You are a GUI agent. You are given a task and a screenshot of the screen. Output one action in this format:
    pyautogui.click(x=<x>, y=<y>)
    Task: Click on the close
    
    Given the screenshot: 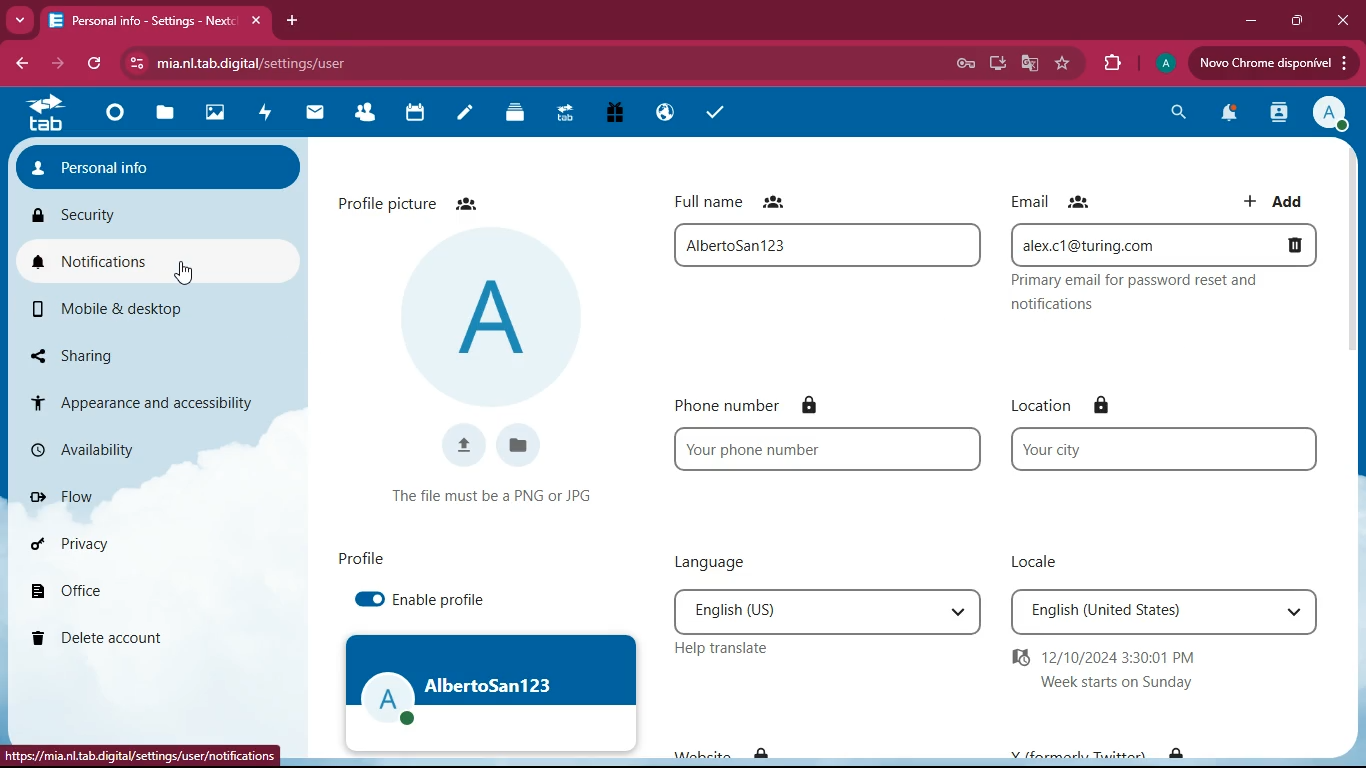 What is the action you would take?
    pyautogui.click(x=1342, y=20)
    